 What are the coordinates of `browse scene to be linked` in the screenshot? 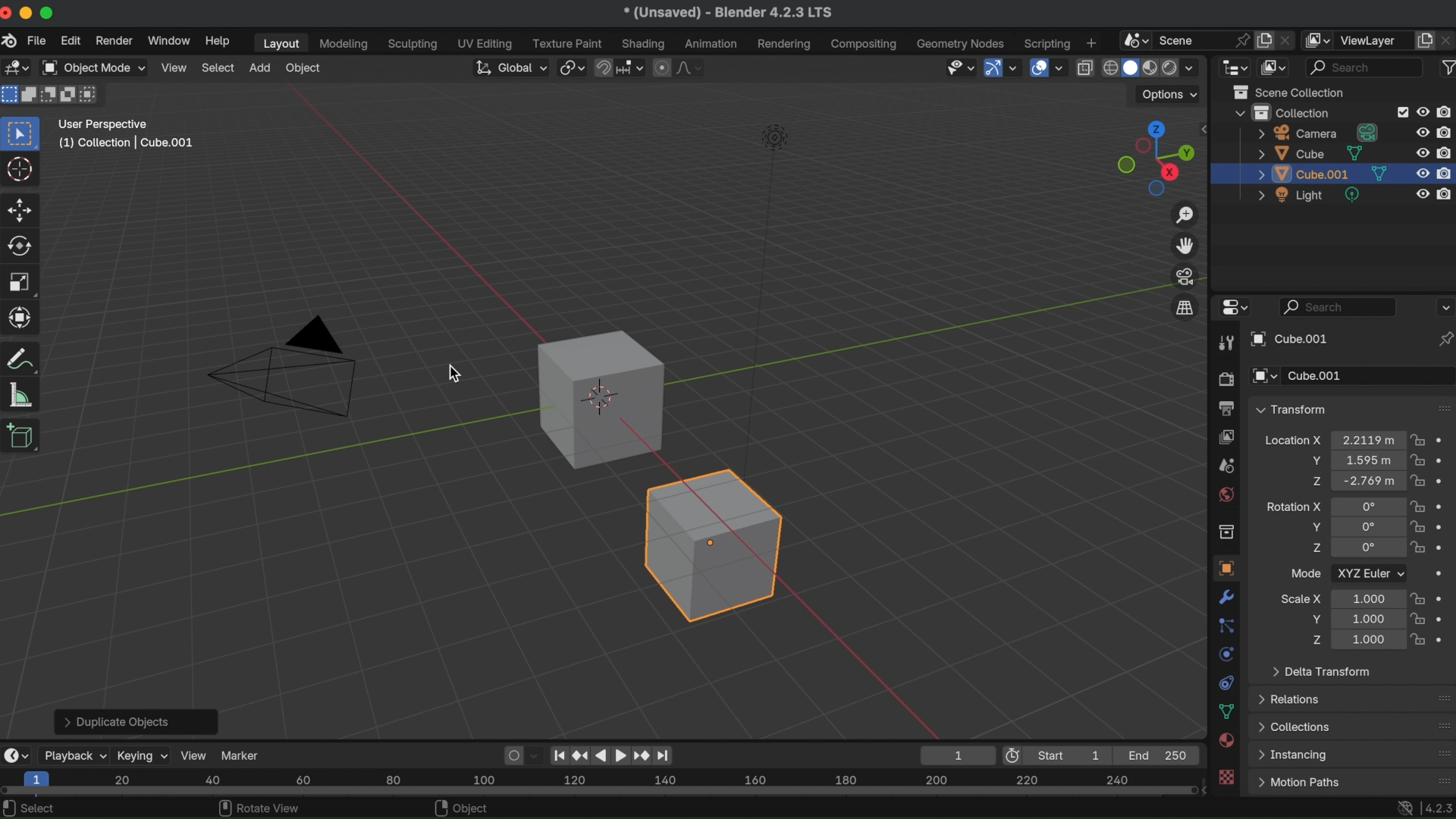 It's located at (1134, 39).